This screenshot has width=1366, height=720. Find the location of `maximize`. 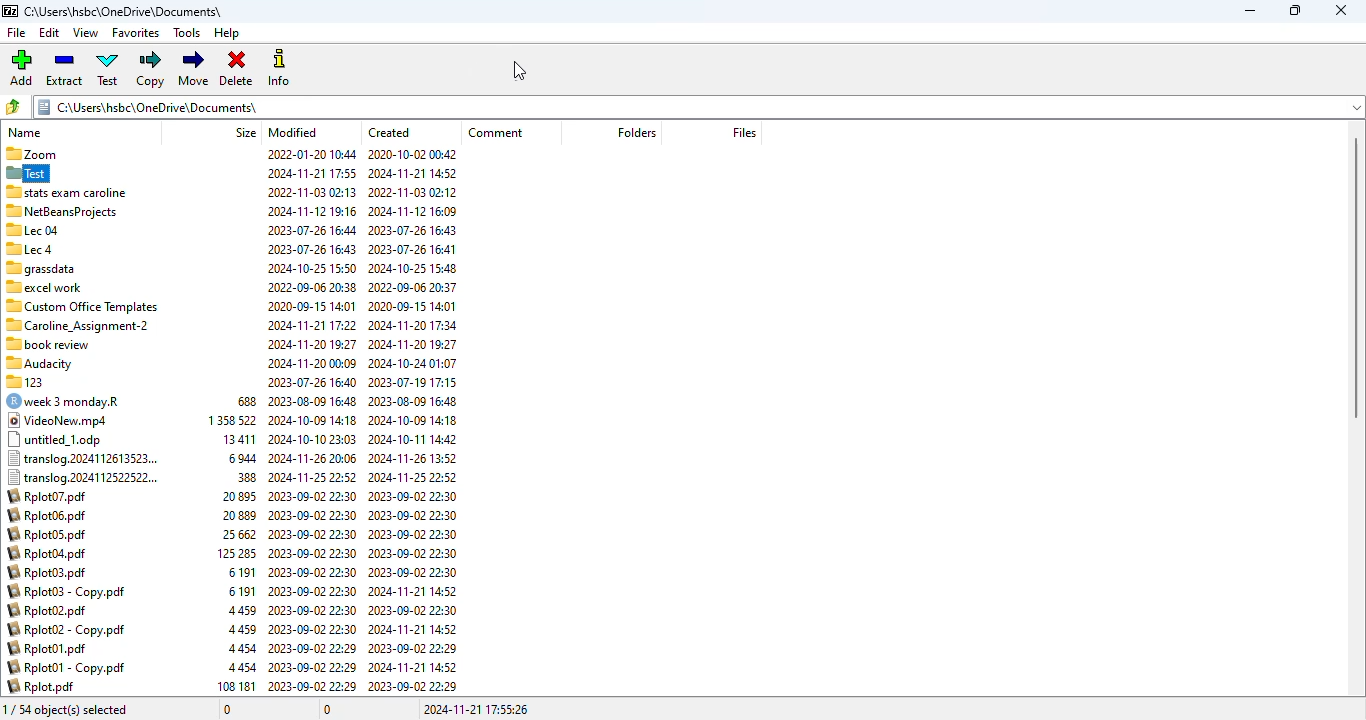

maximize is located at coordinates (1296, 10).